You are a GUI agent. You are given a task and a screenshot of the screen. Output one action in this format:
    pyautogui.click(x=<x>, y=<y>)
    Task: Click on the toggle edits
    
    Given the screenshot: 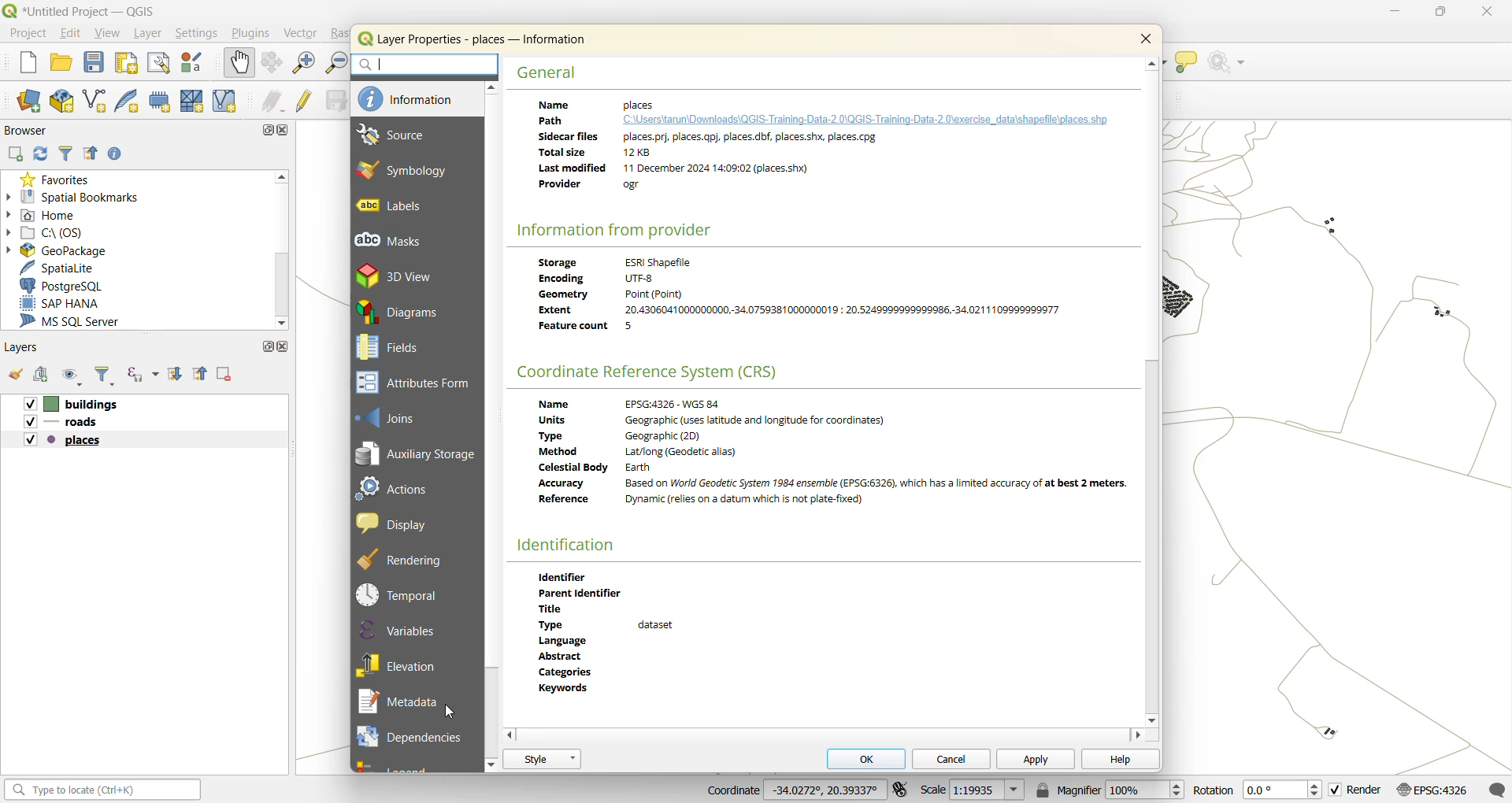 What is the action you would take?
    pyautogui.click(x=305, y=102)
    